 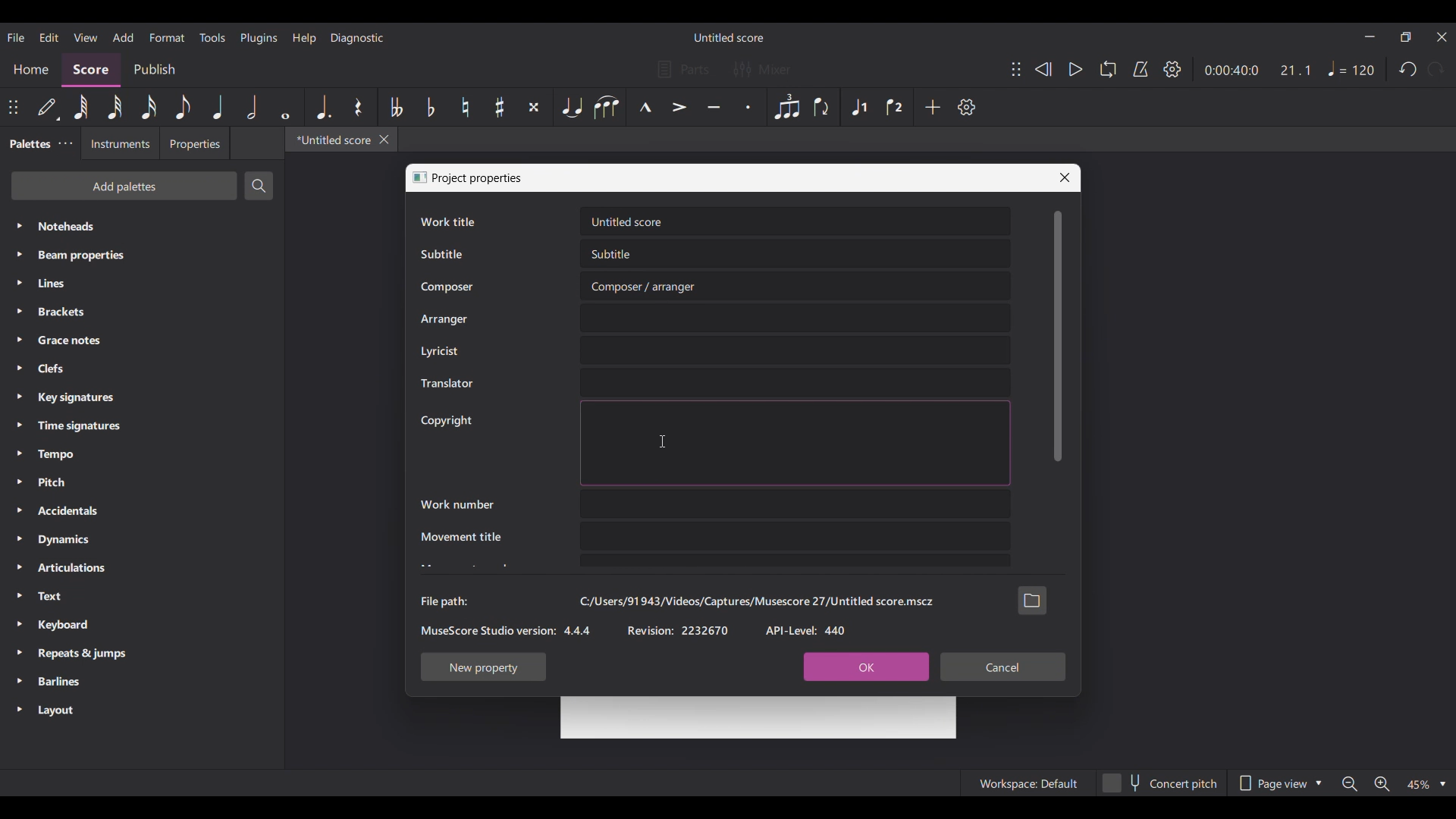 I want to click on Brackets, so click(x=142, y=312).